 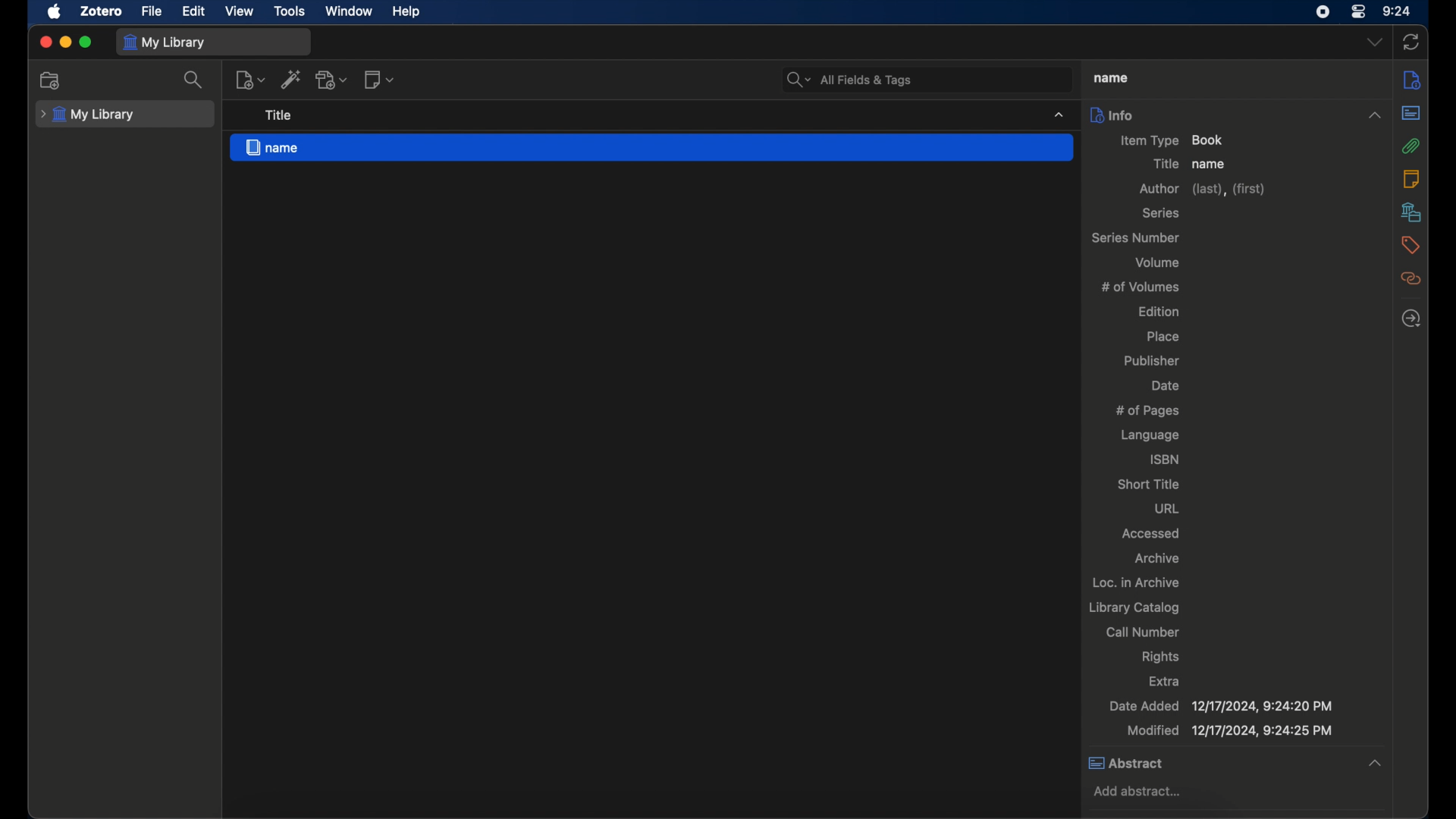 What do you see at coordinates (1398, 11) in the screenshot?
I see `time` at bounding box center [1398, 11].